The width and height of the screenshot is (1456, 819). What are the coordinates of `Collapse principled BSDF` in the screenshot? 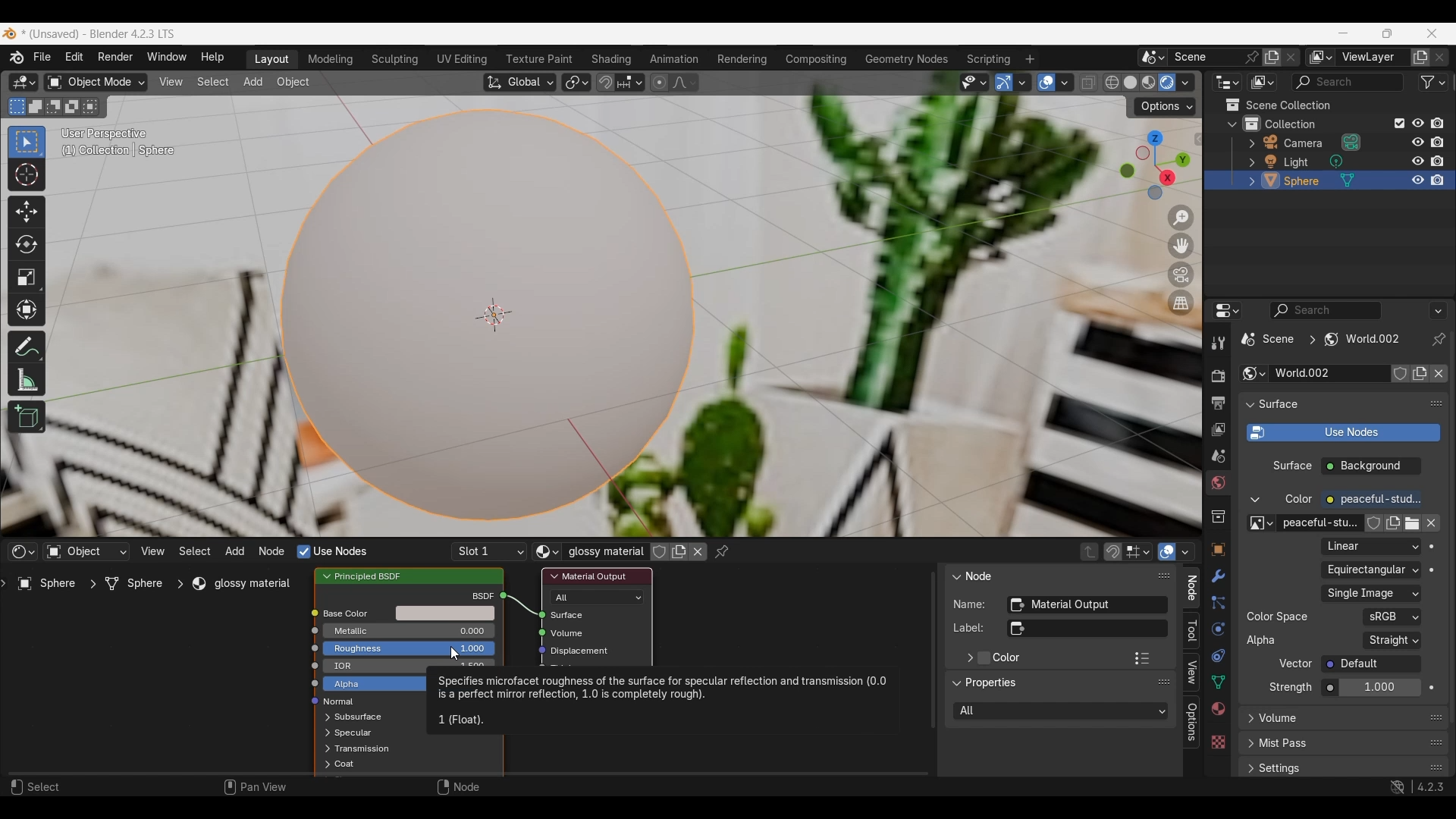 It's located at (327, 576).